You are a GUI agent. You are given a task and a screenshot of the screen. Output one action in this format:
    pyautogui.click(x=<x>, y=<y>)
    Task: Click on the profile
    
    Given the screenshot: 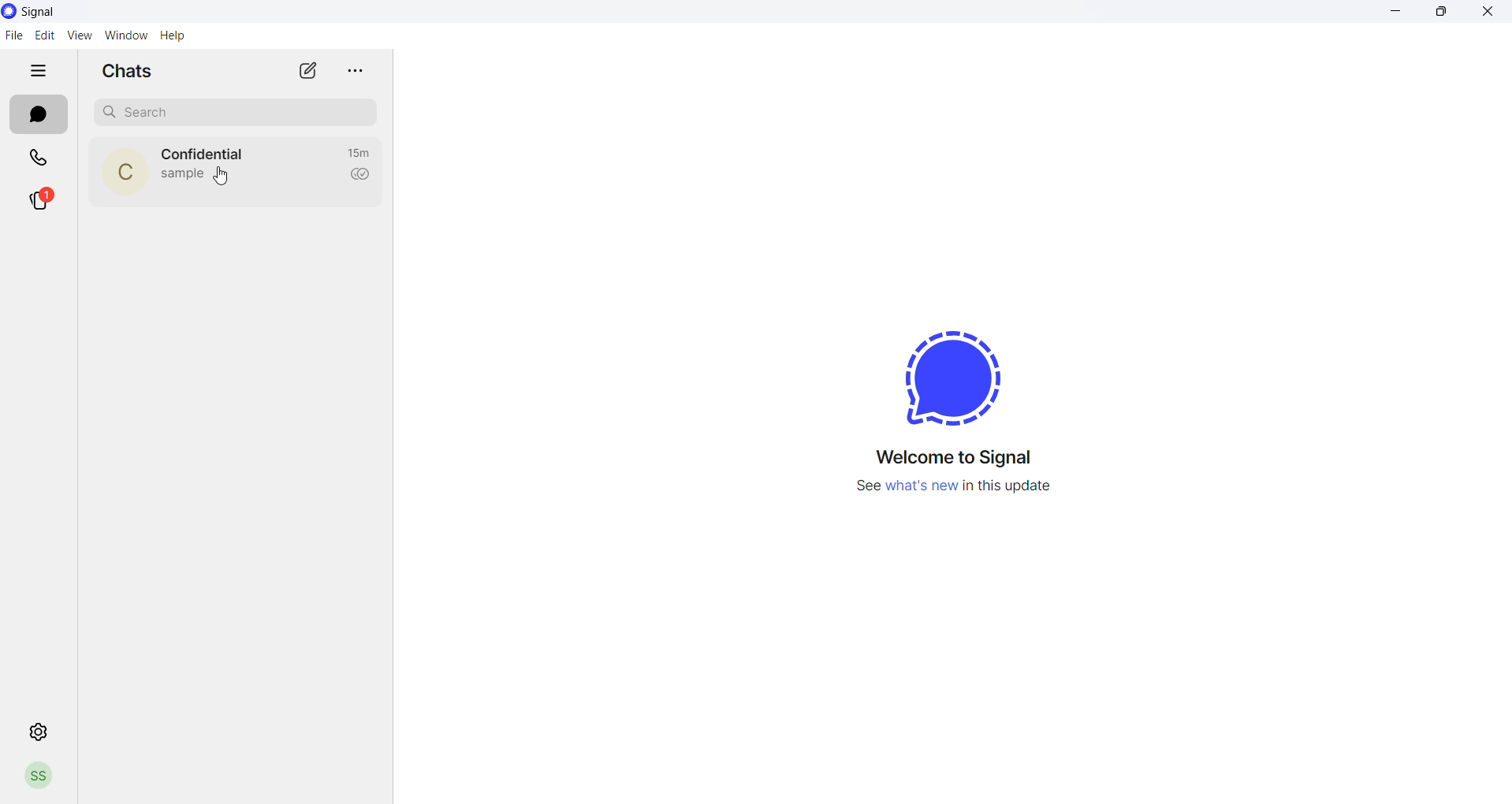 What is the action you would take?
    pyautogui.click(x=42, y=779)
    